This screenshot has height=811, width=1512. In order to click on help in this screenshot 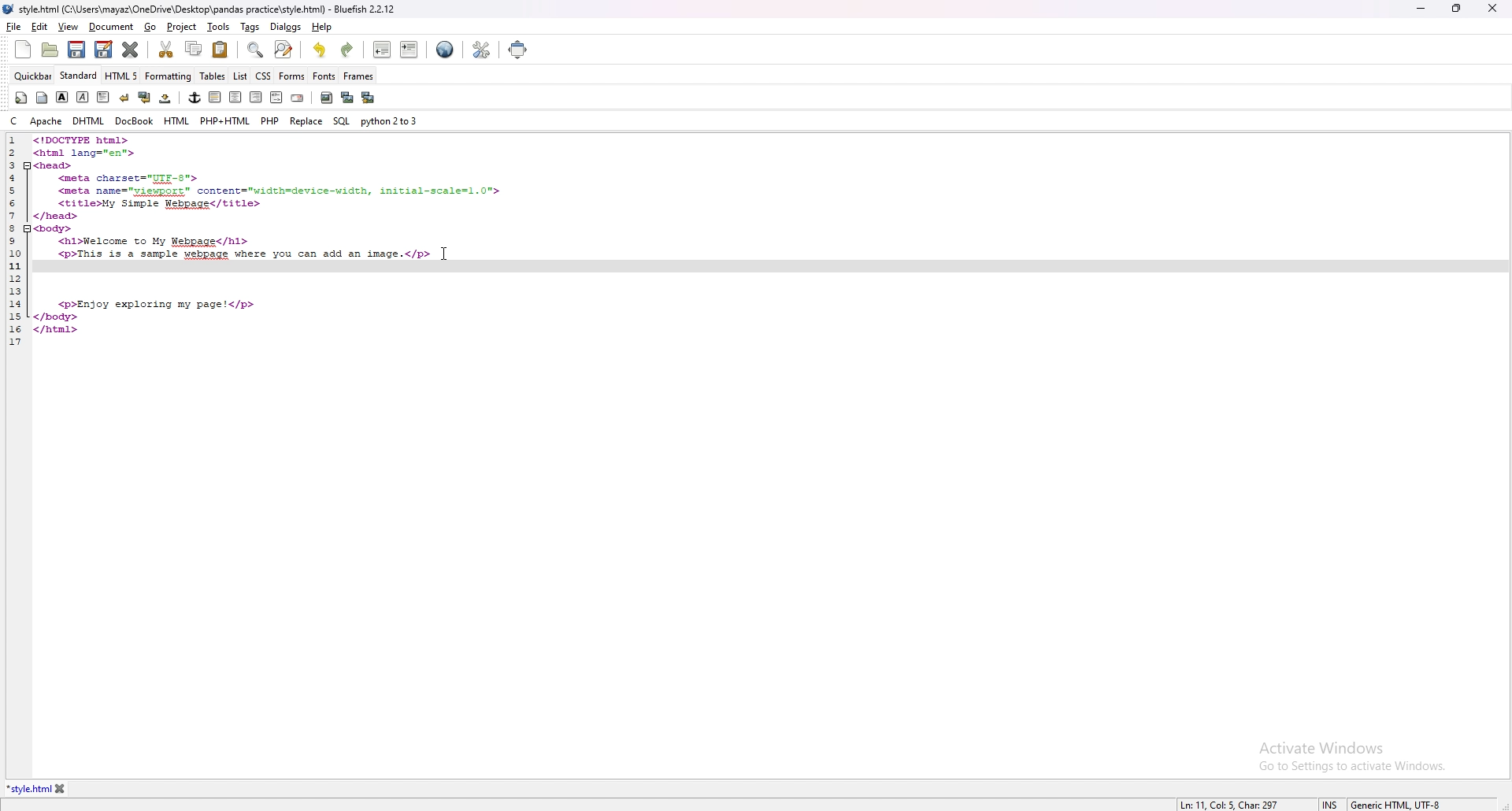, I will do `click(323, 27)`.